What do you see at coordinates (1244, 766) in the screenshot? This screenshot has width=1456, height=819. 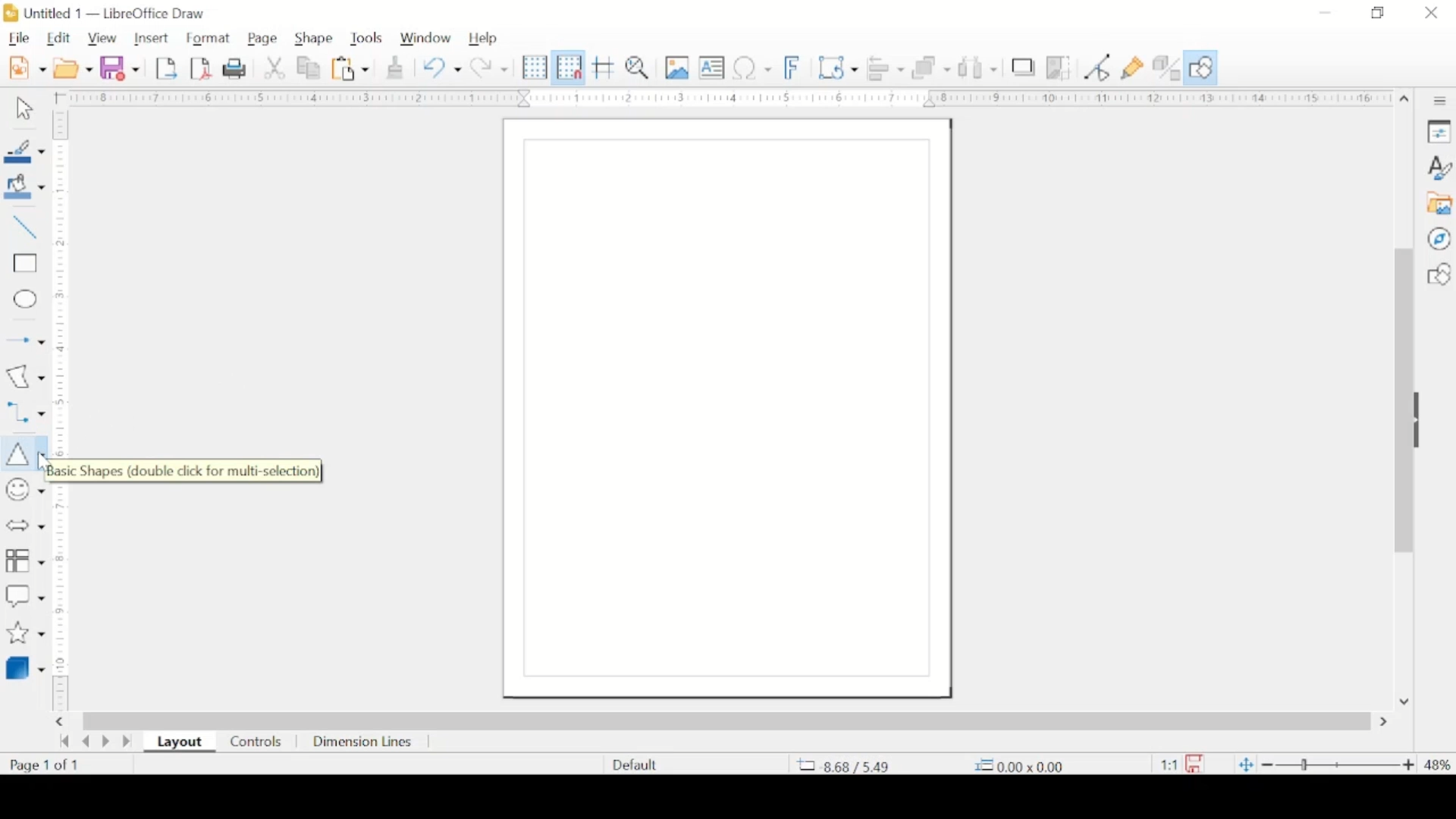 I see `fit to current window` at bounding box center [1244, 766].